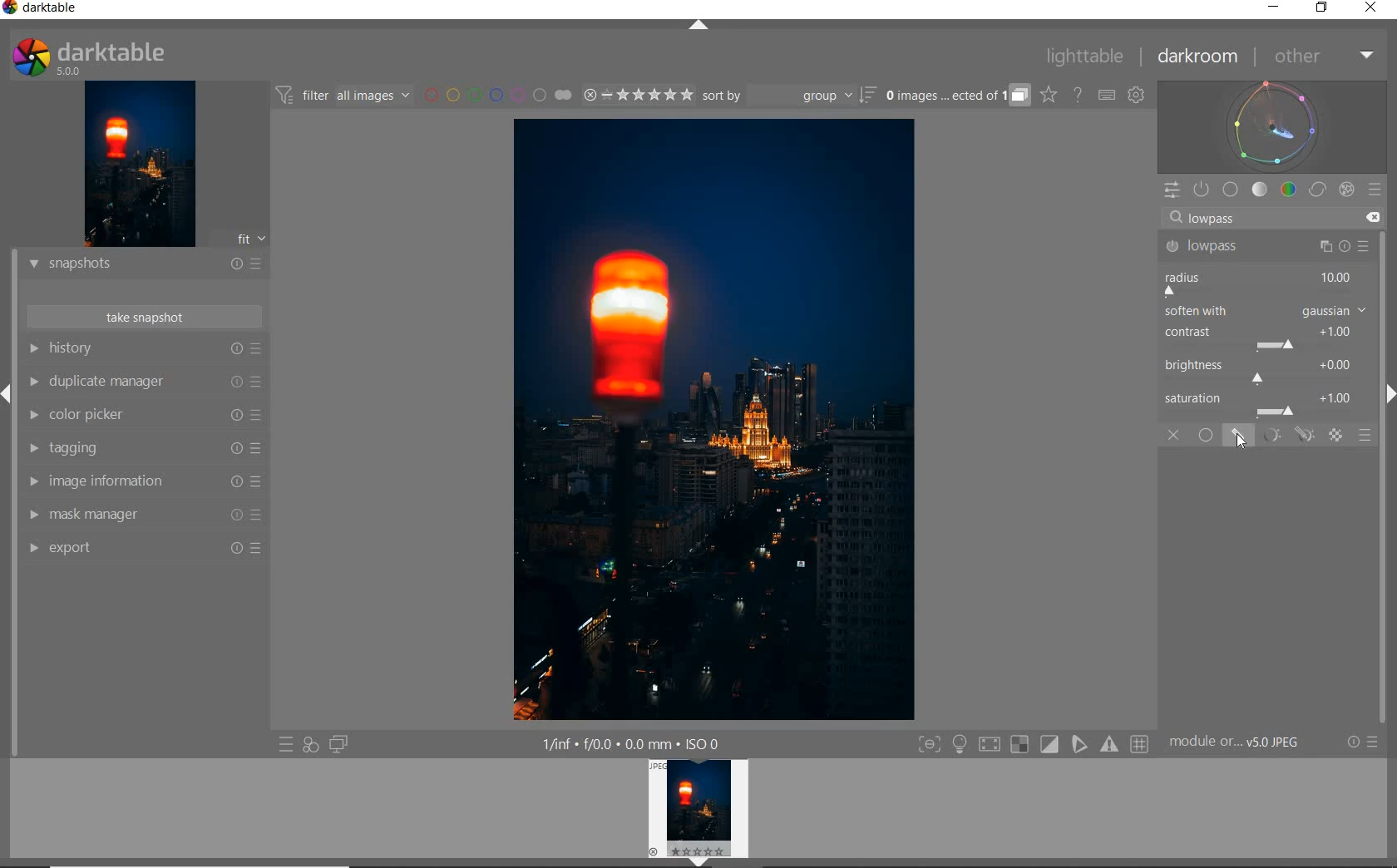 This screenshot has width=1397, height=868. Describe the element at coordinates (1138, 96) in the screenshot. I see `SHOW GLOBAL PREFERENCES` at that location.